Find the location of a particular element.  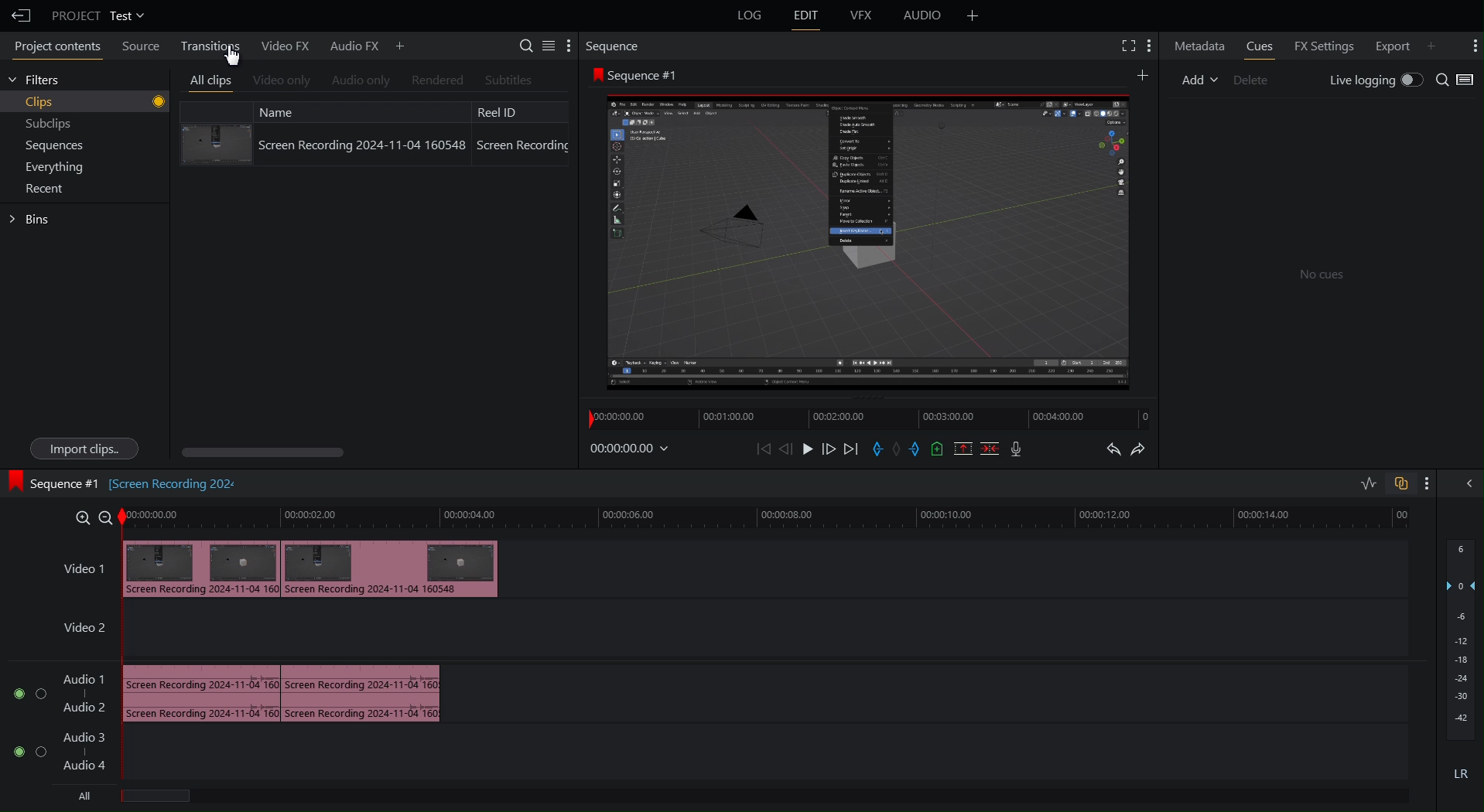

Audio Track 1 is located at coordinates (84, 676).